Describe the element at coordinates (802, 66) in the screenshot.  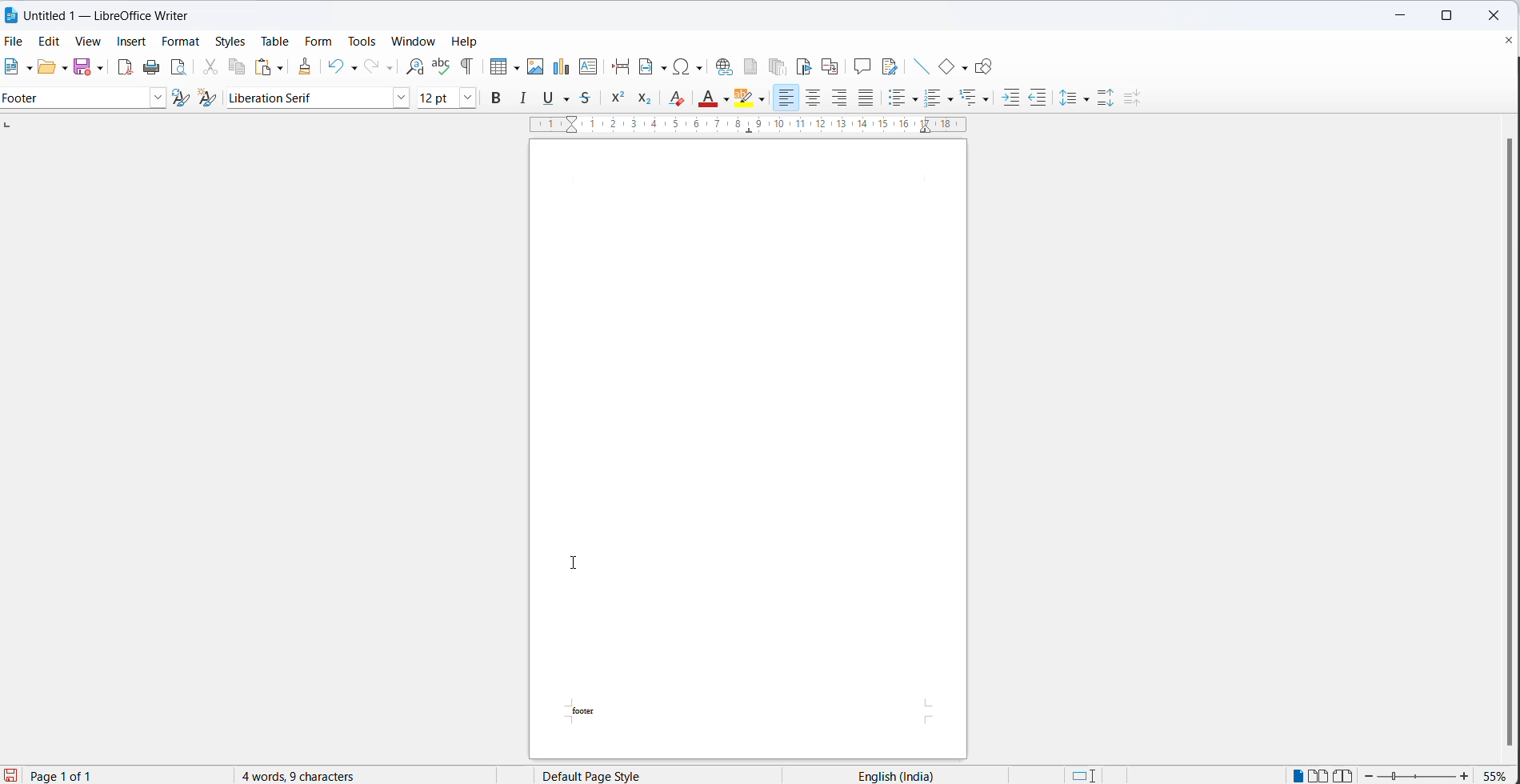
I see `insert bookmark` at that location.